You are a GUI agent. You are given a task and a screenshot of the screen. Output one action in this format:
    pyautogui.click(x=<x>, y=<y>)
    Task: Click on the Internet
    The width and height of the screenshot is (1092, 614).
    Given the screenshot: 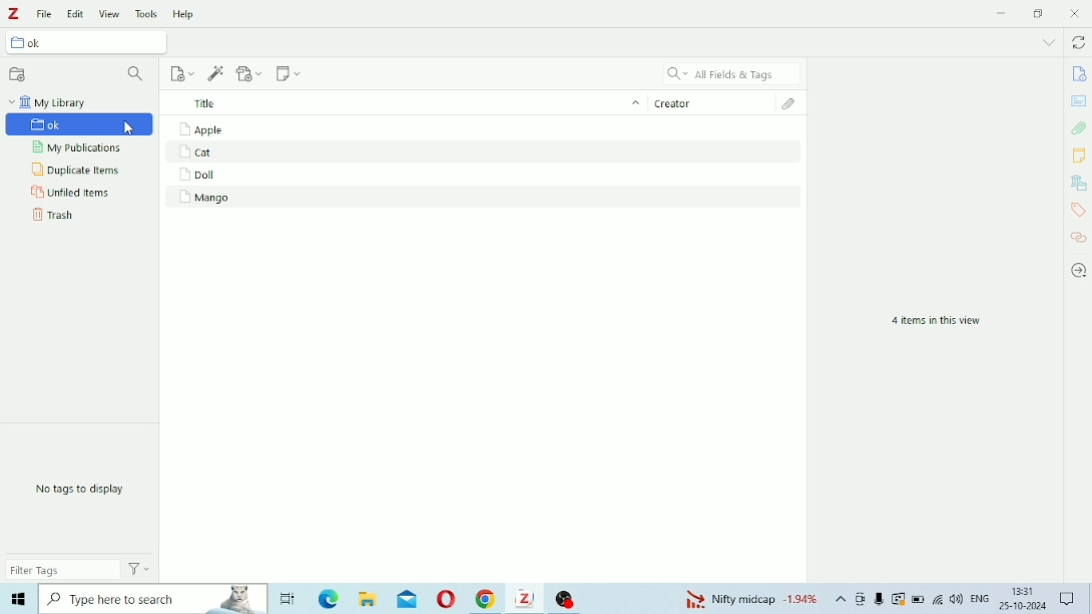 What is the action you would take?
    pyautogui.click(x=938, y=599)
    